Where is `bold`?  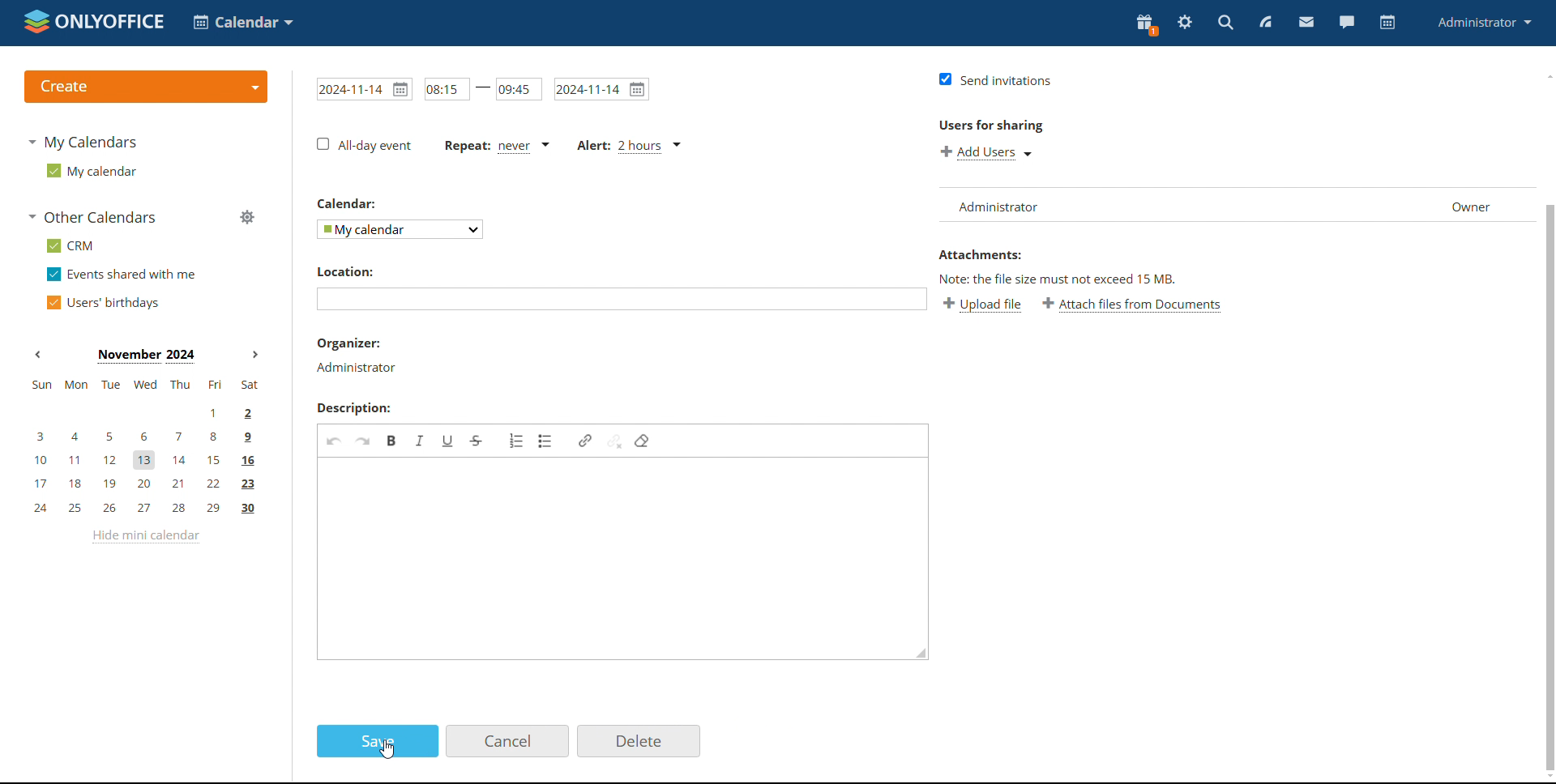 bold is located at coordinates (390, 442).